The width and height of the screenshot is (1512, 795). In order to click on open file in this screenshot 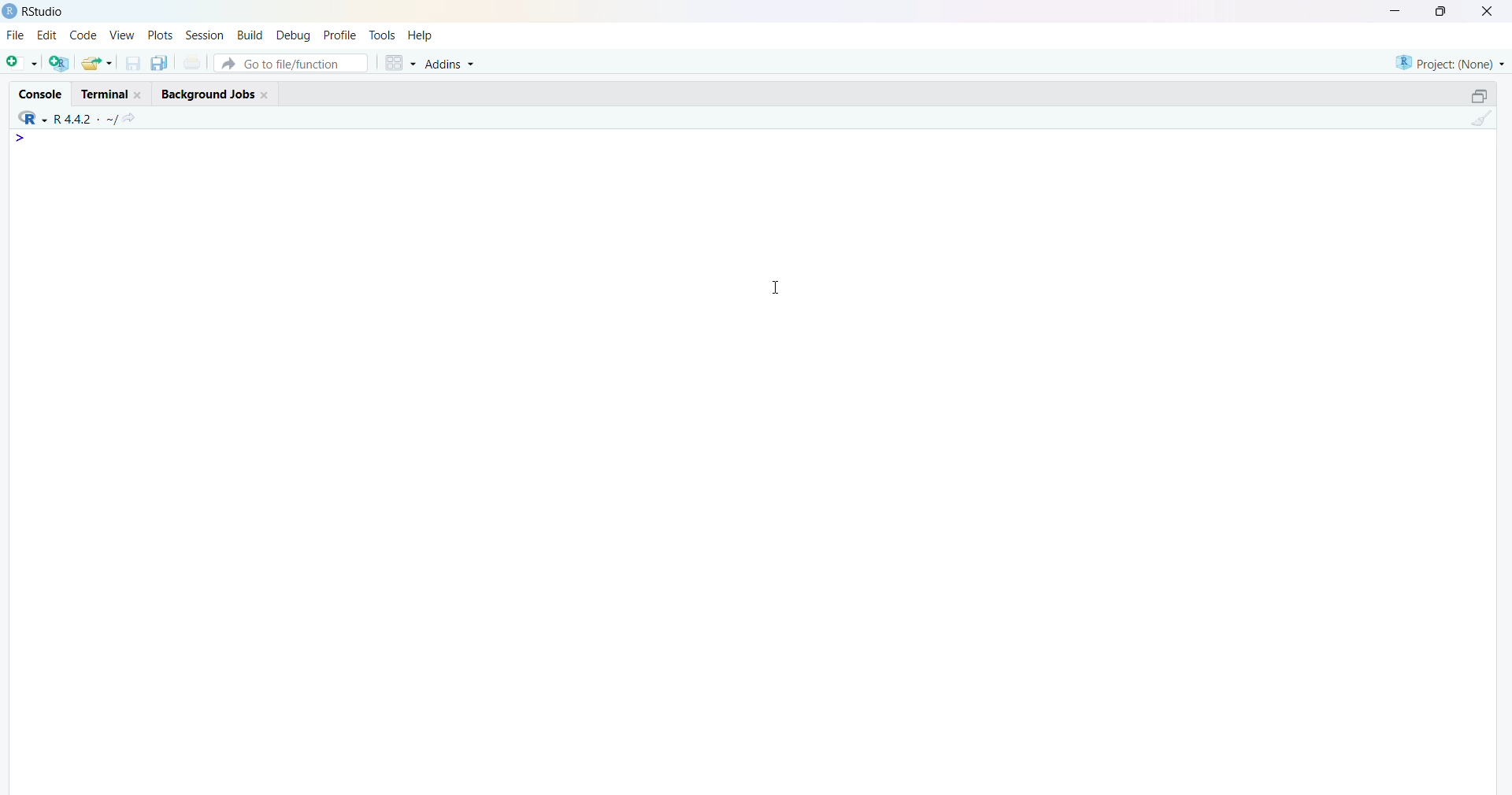, I will do `click(24, 62)`.